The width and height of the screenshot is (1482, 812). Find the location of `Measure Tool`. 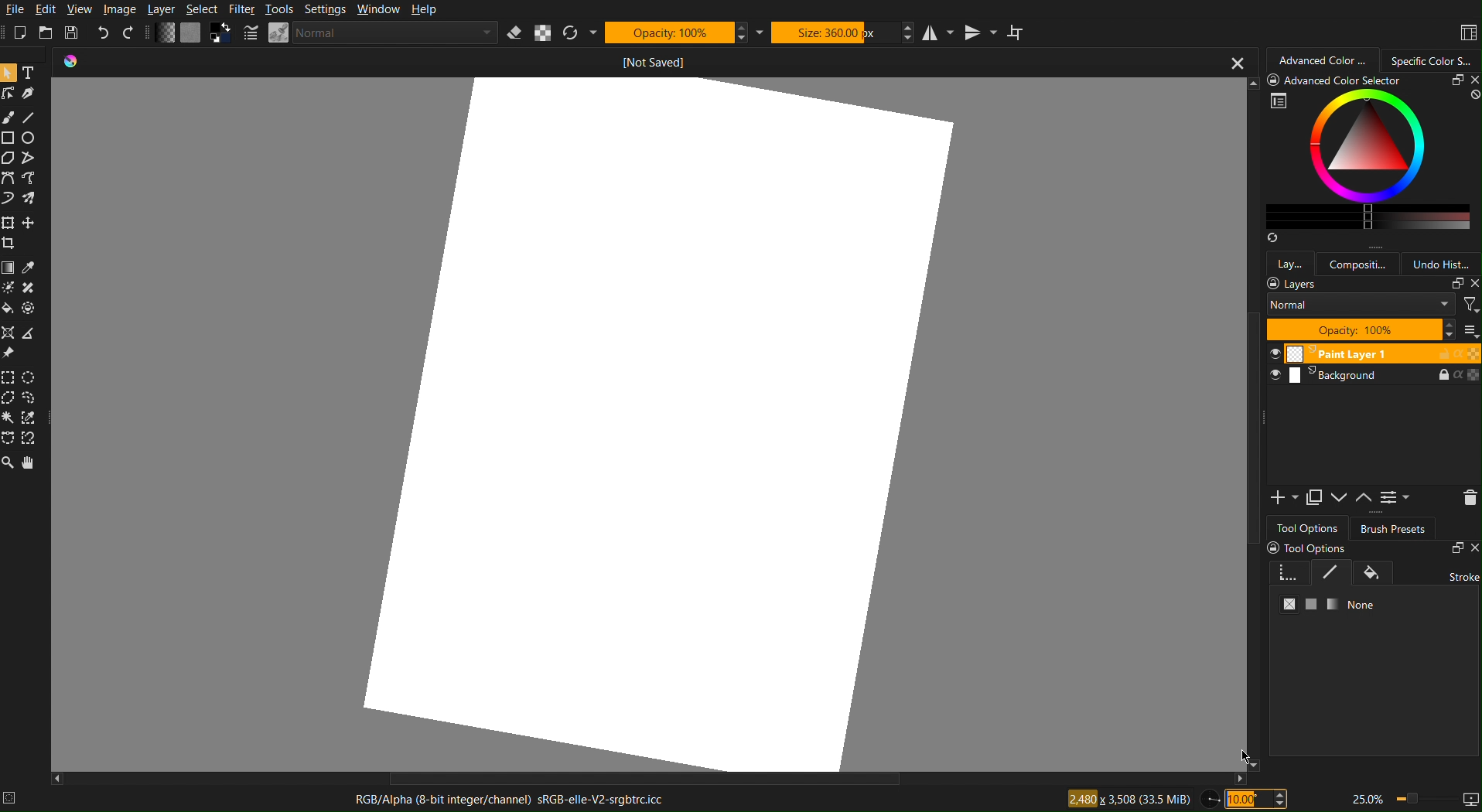

Measure Tool is located at coordinates (28, 333).